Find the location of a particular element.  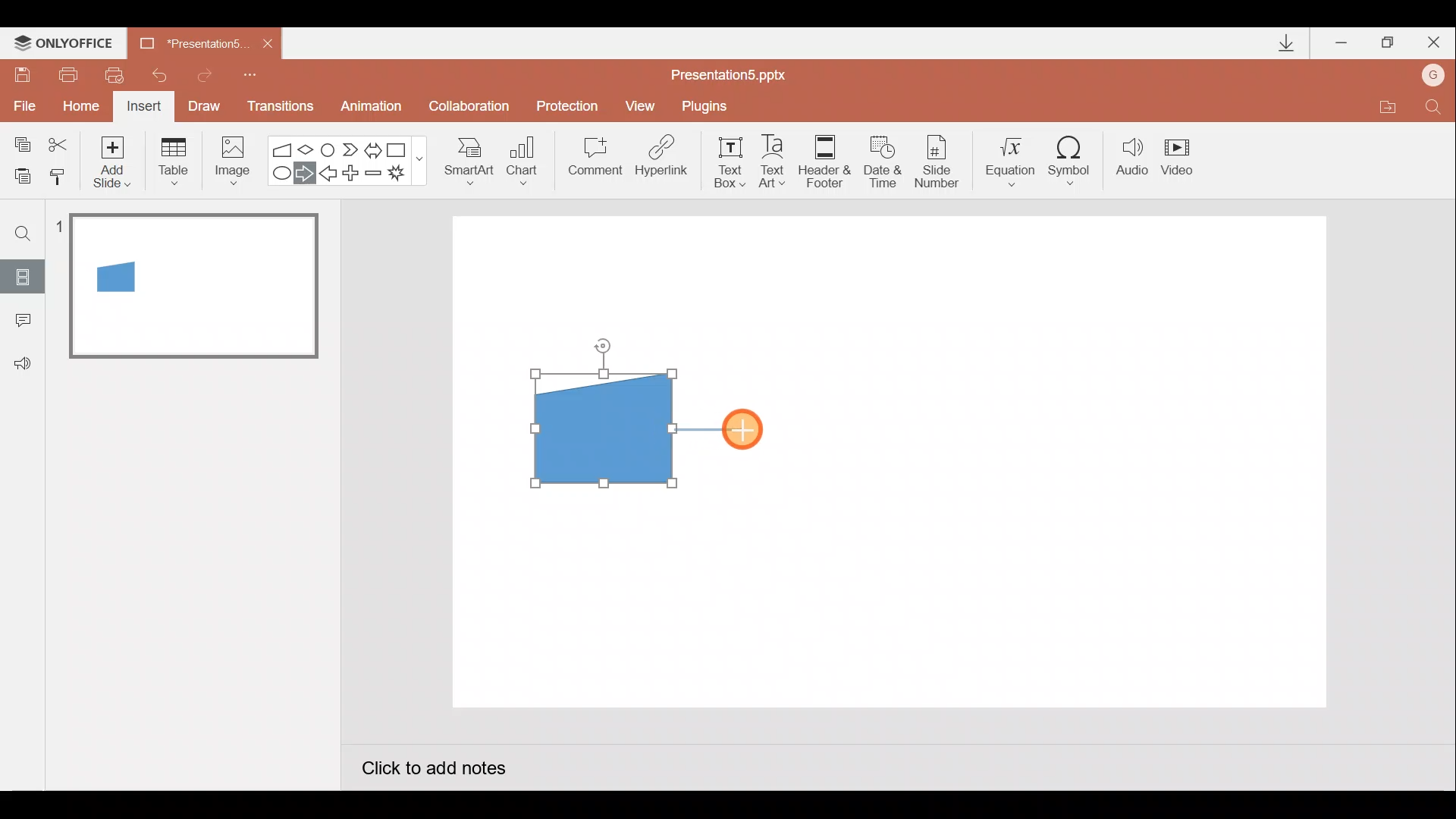

Print file is located at coordinates (65, 74).